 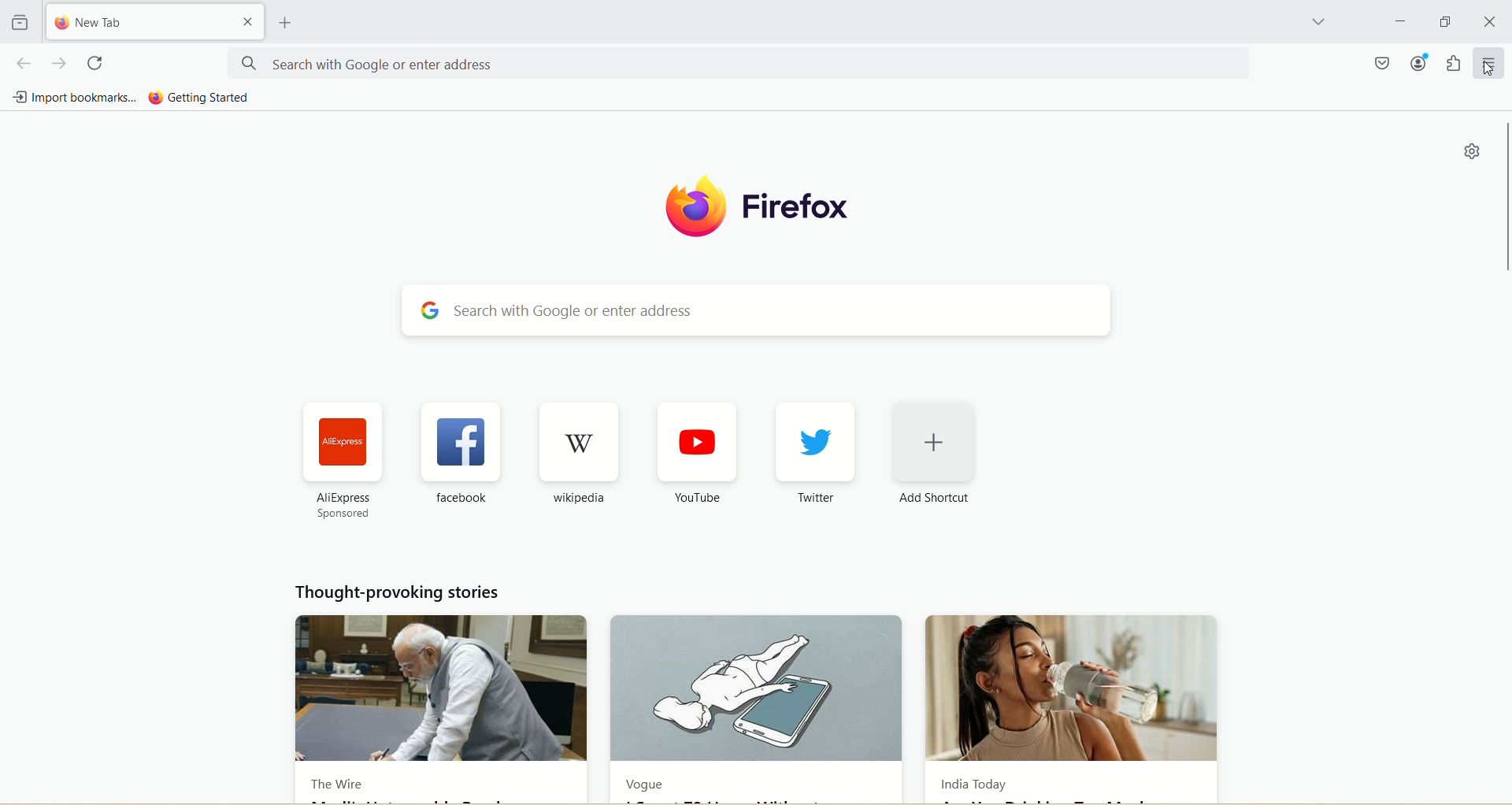 I want to click on new tab, so click(x=135, y=22).